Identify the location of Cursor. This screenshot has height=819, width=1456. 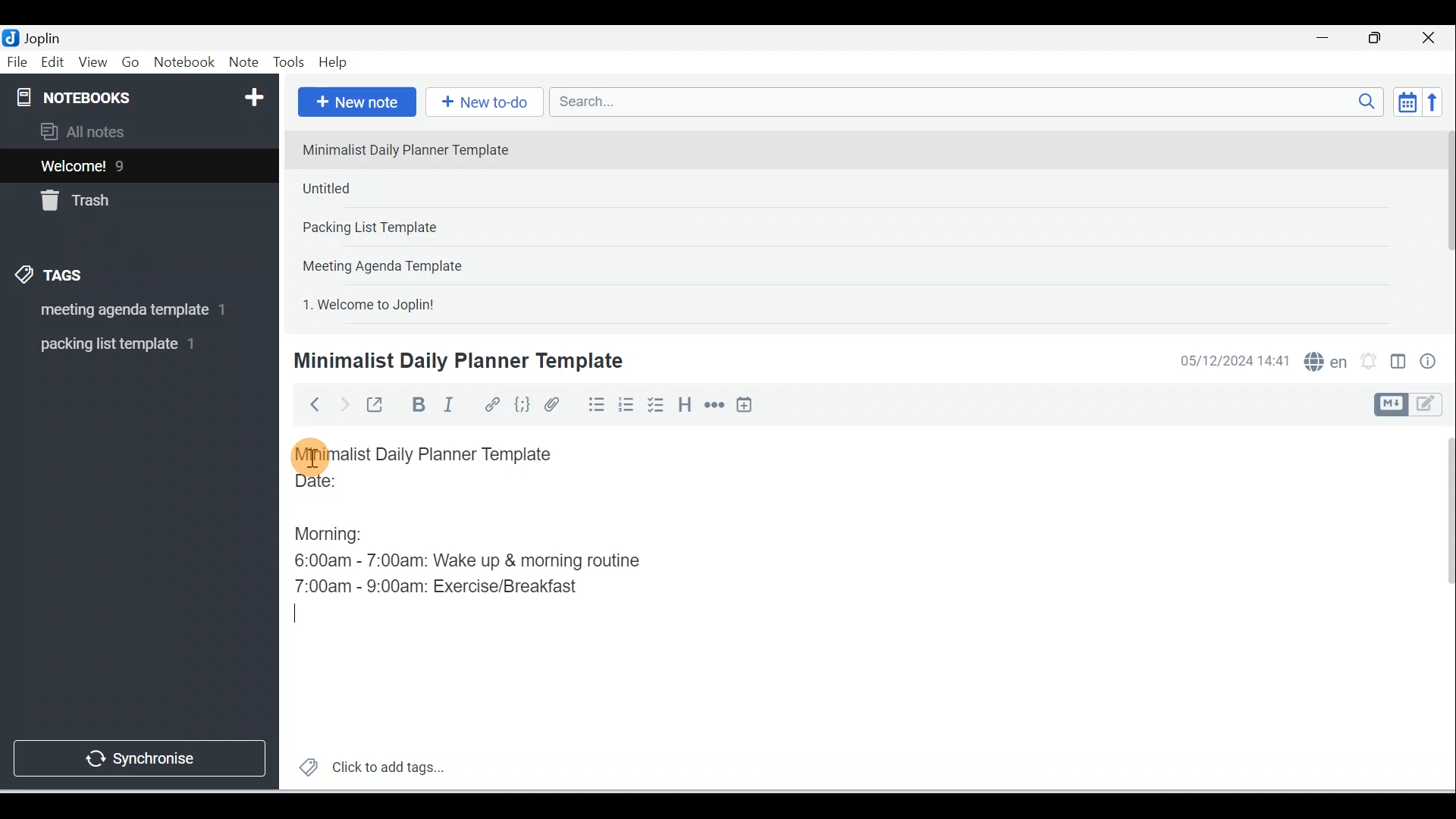
(311, 455).